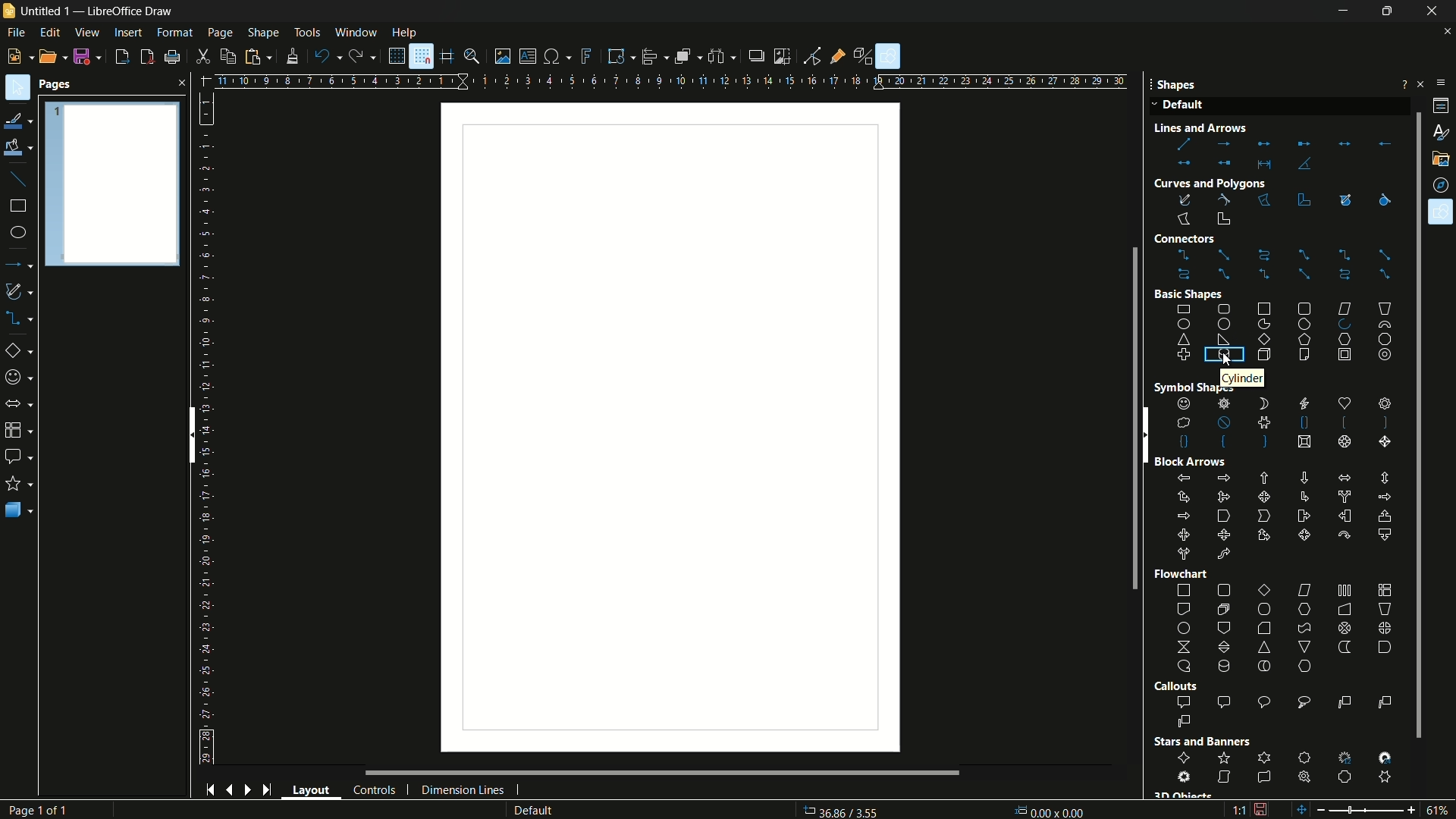 This screenshot has height=819, width=1456. Describe the element at coordinates (22, 318) in the screenshot. I see `connectors` at that location.